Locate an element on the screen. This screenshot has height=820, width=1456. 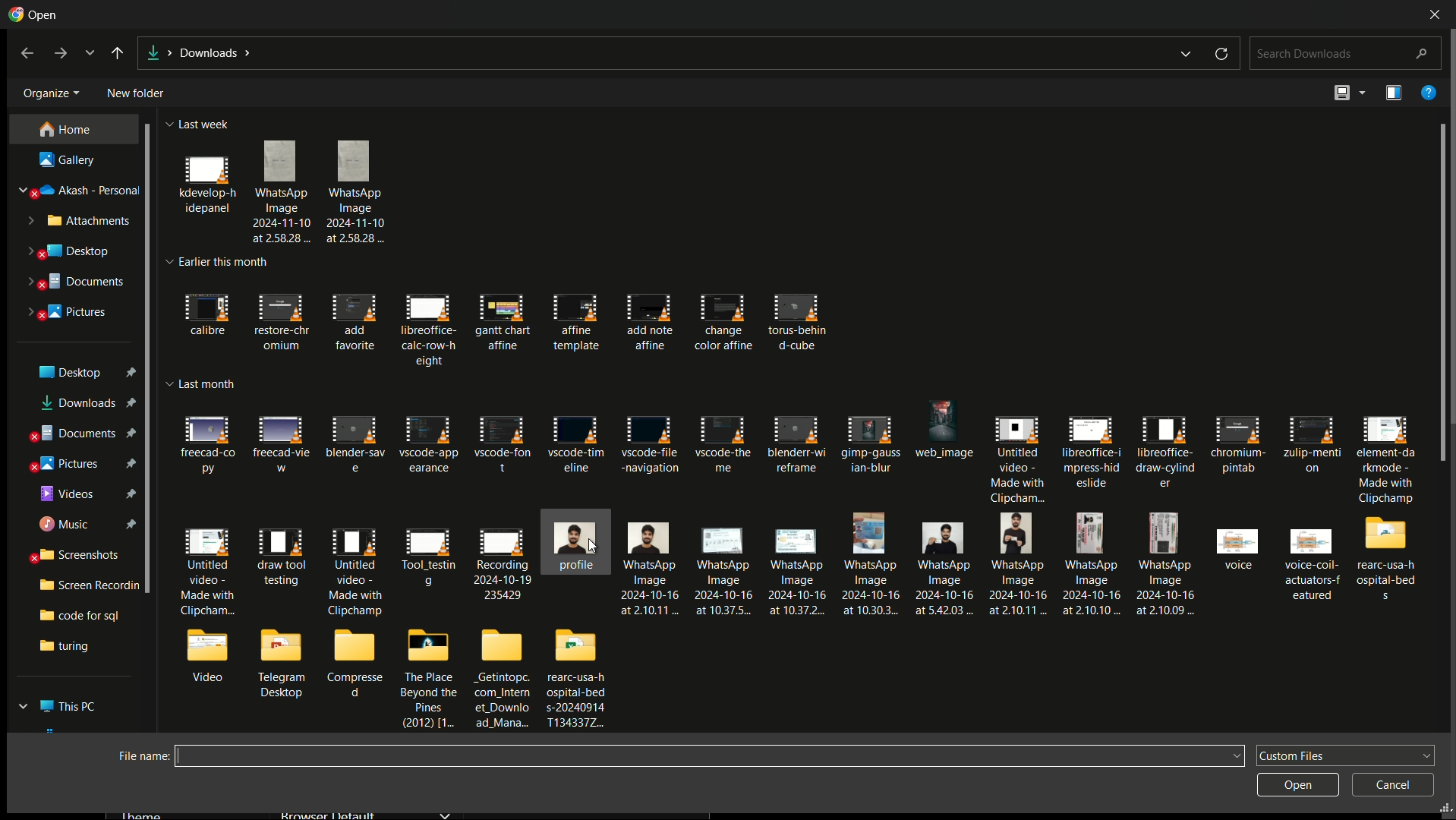
downloads is located at coordinates (86, 402).